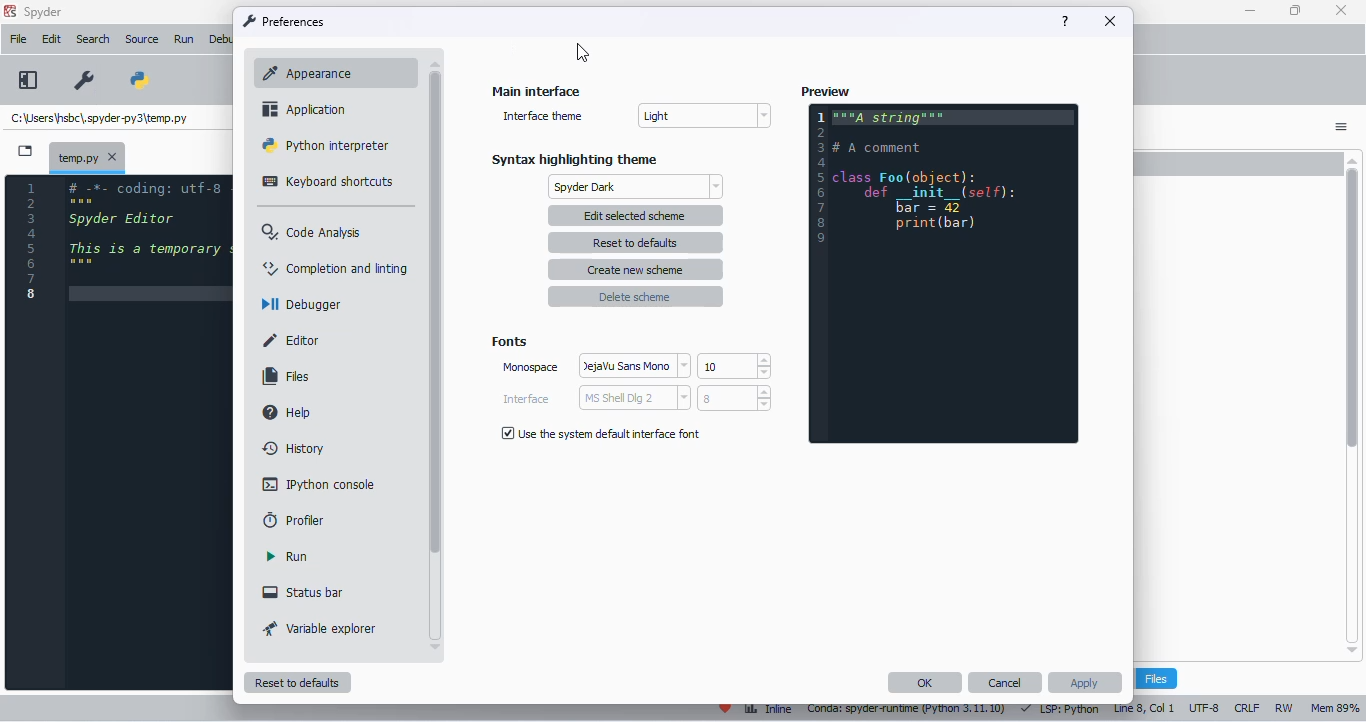  What do you see at coordinates (943, 275) in the screenshot?
I see `preview box` at bounding box center [943, 275].